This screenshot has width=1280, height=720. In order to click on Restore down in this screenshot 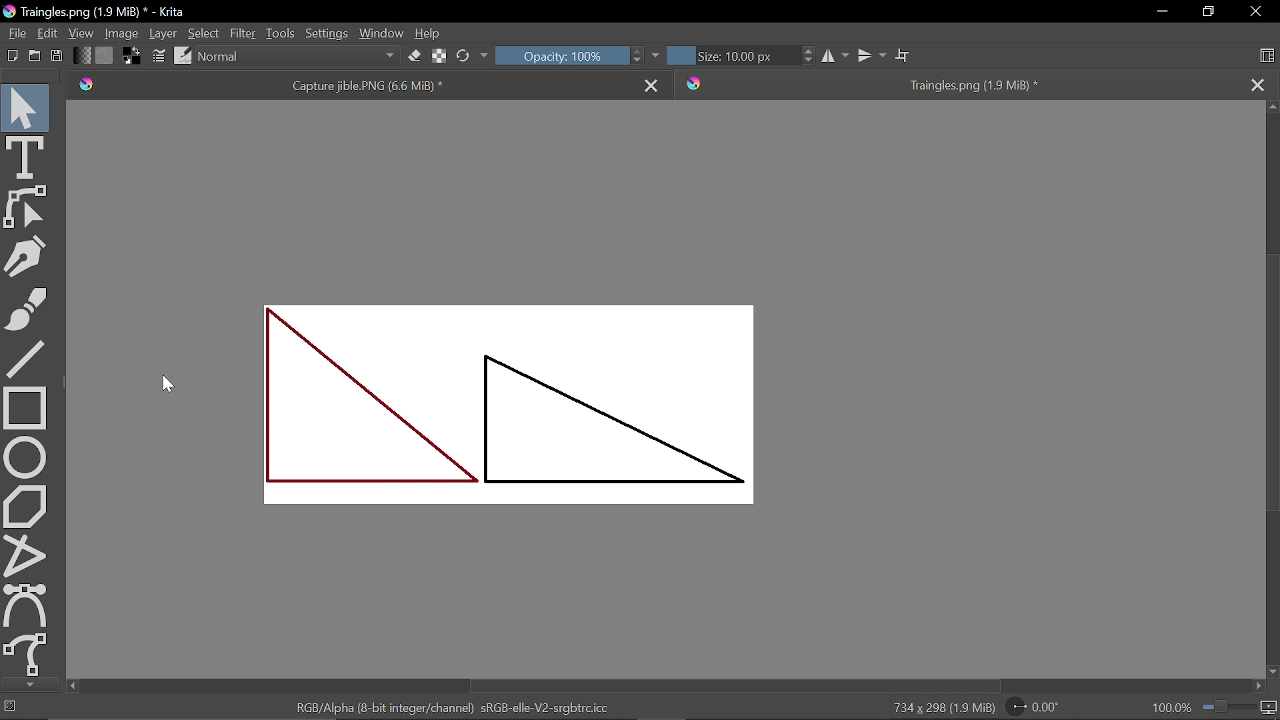, I will do `click(1210, 12)`.